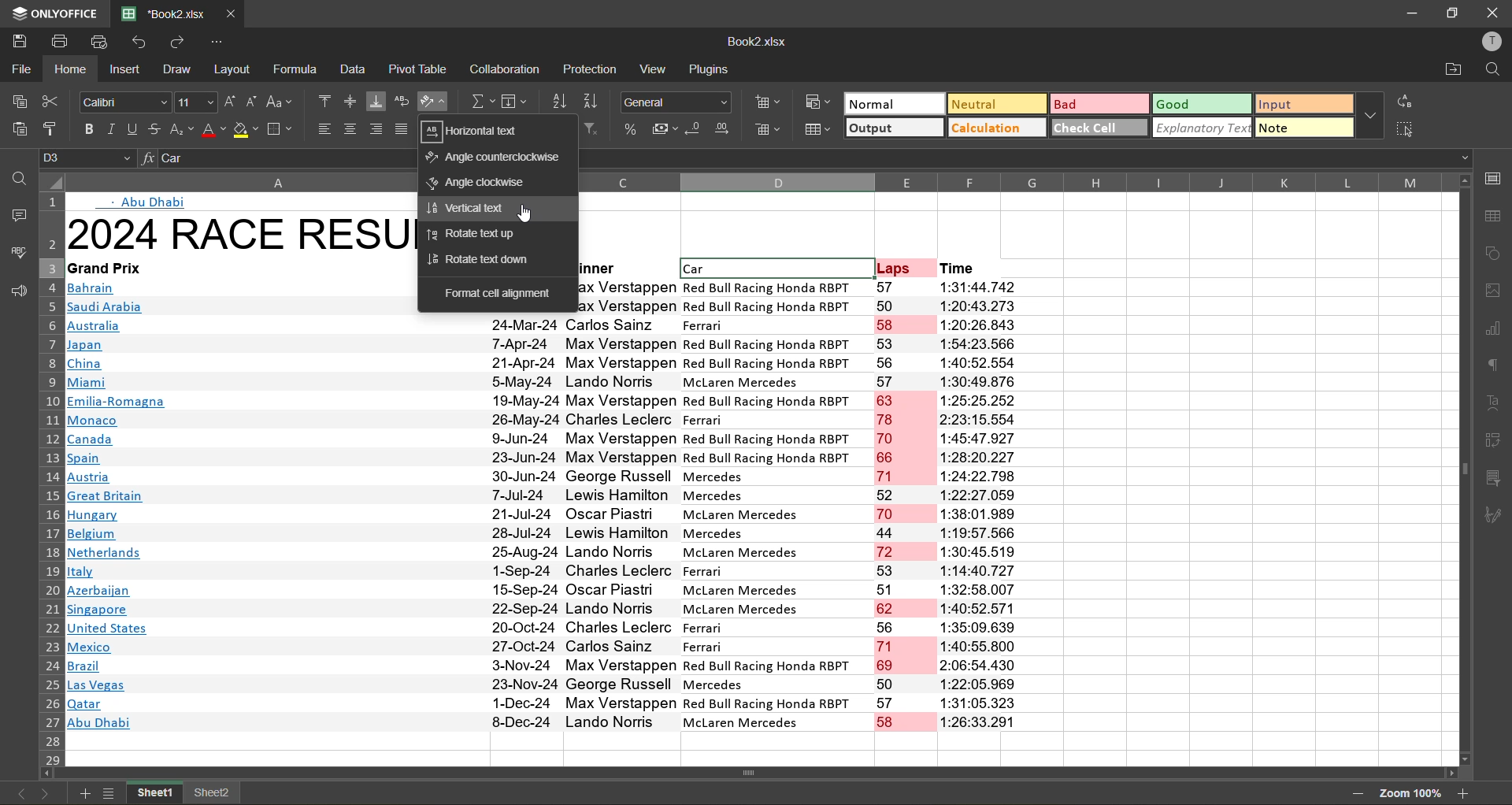 The height and width of the screenshot is (805, 1512). Describe the element at coordinates (999, 129) in the screenshot. I see `calculation` at that location.